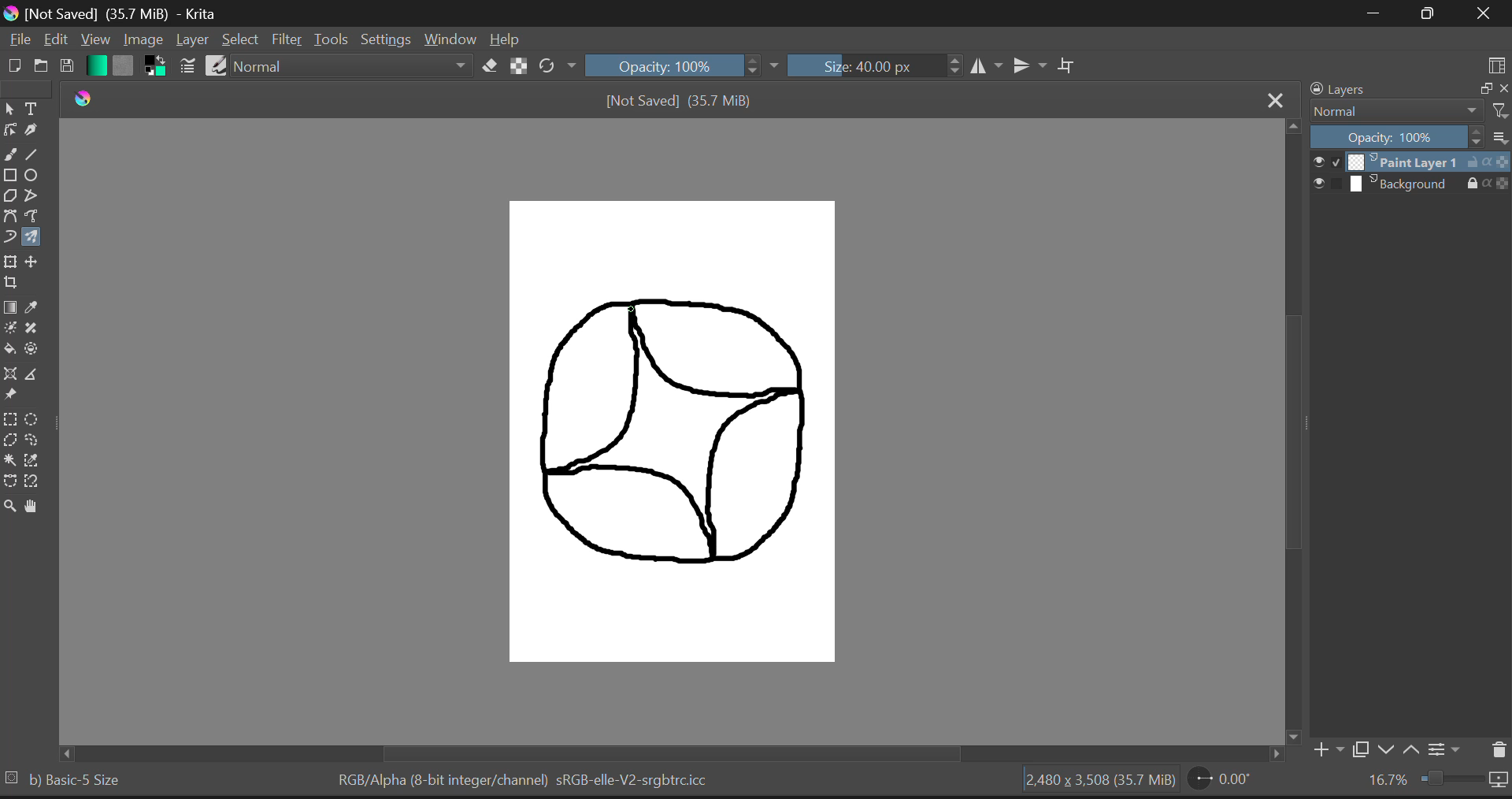  Describe the element at coordinates (38, 418) in the screenshot. I see `Circular Selection` at that location.